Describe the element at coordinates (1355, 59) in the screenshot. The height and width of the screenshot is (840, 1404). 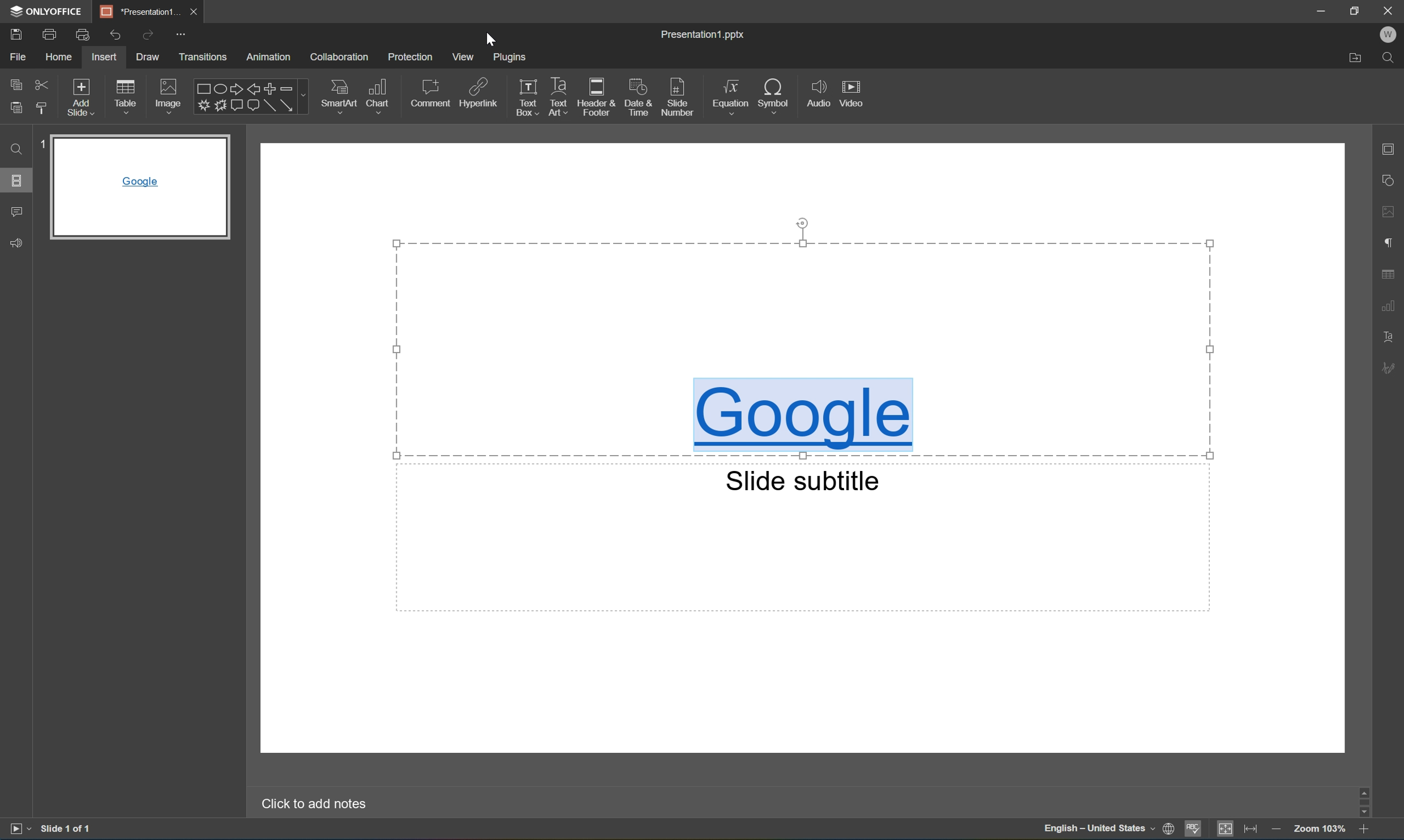
I see `Open file location` at that location.